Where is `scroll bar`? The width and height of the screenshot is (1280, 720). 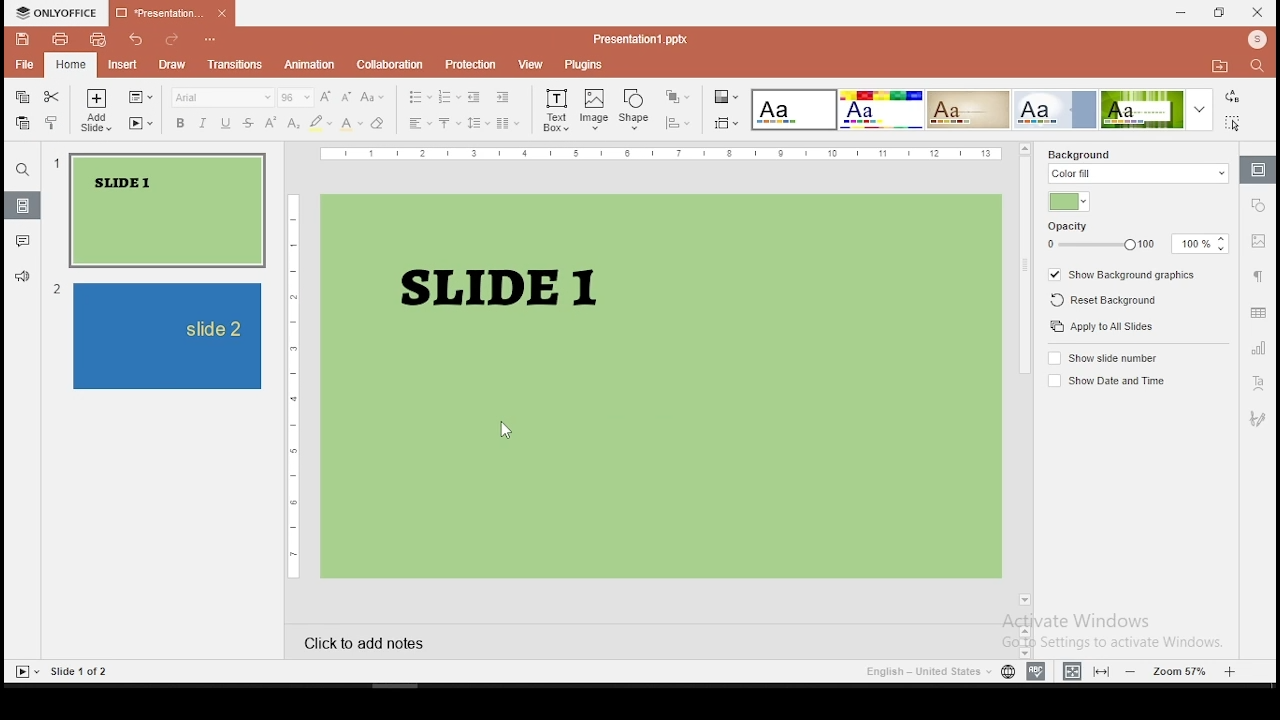
scroll bar is located at coordinates (1024, 381).